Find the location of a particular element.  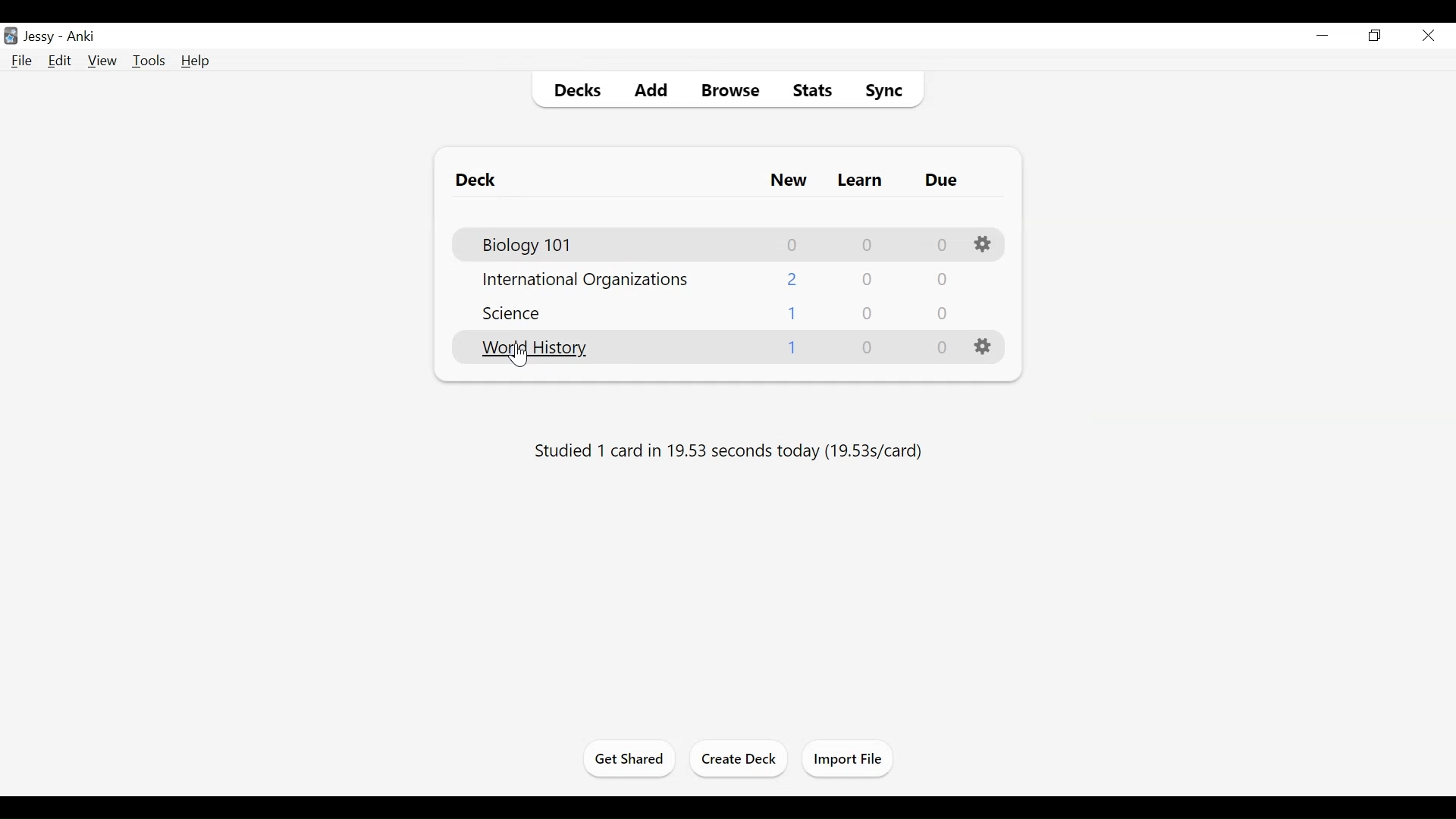

Decks is located at coordinates (571, 89).